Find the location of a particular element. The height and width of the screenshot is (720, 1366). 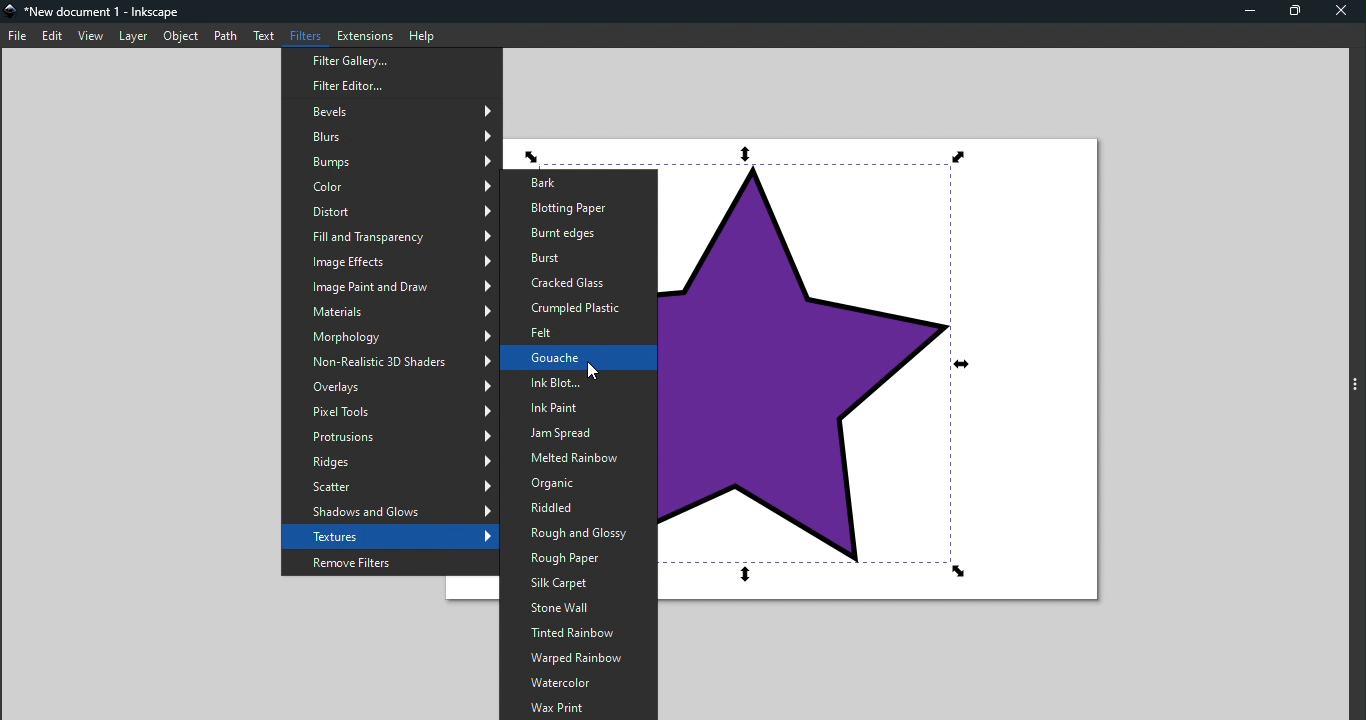

Fill and transparency is located at coordinates (388, 235).